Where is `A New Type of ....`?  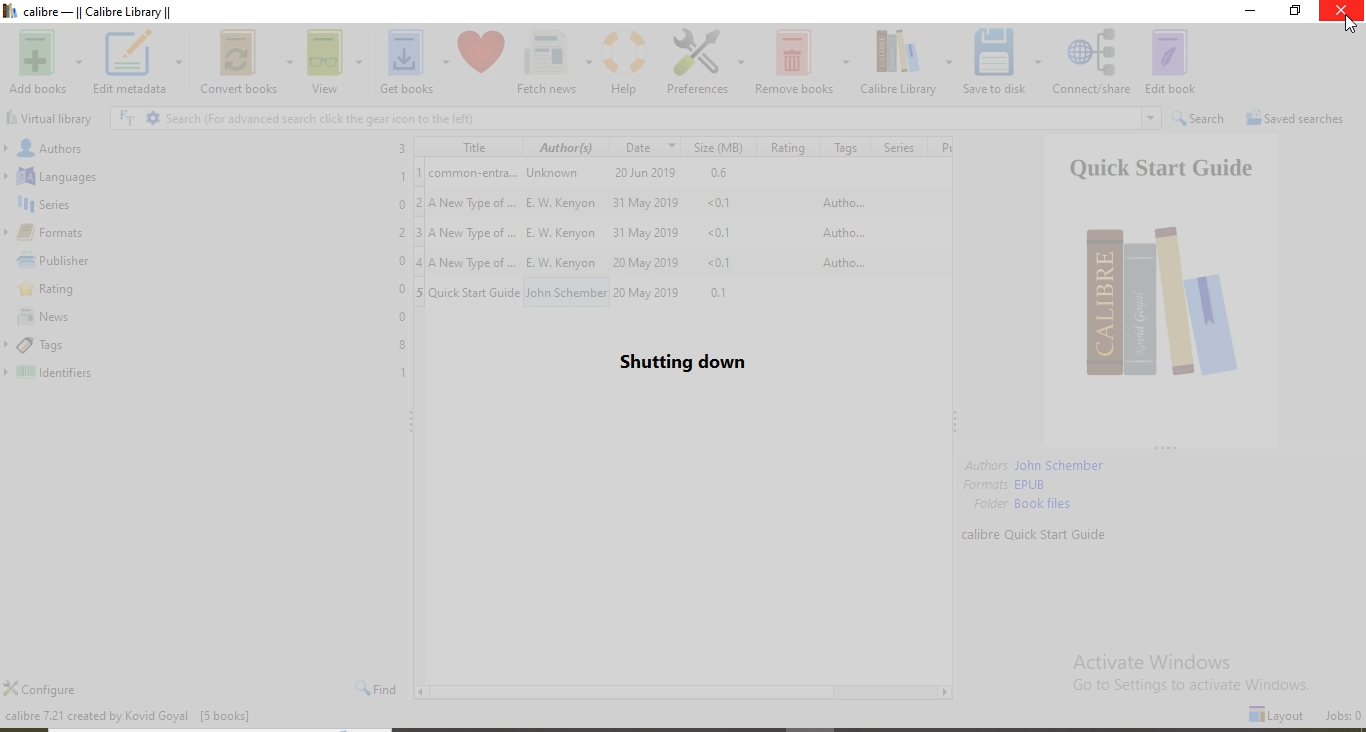 A New Type of .... is located at coordinates (475, 203).